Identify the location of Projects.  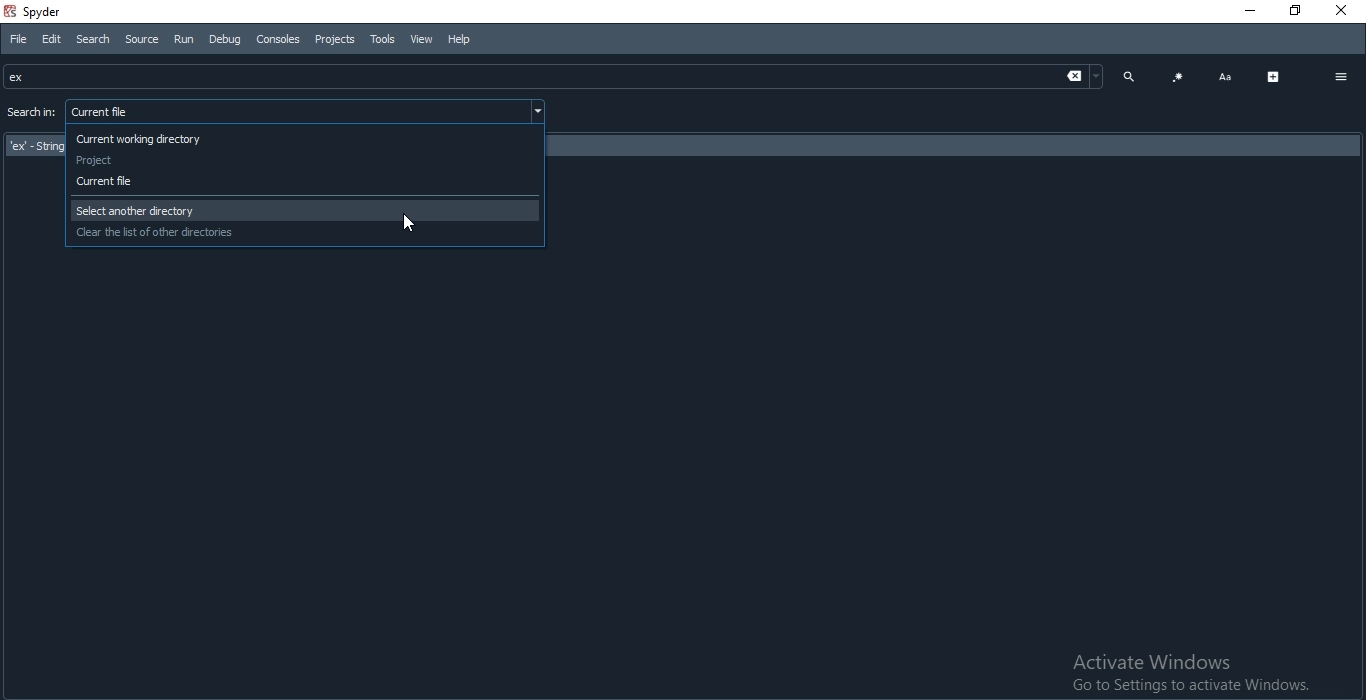
(334, 40).